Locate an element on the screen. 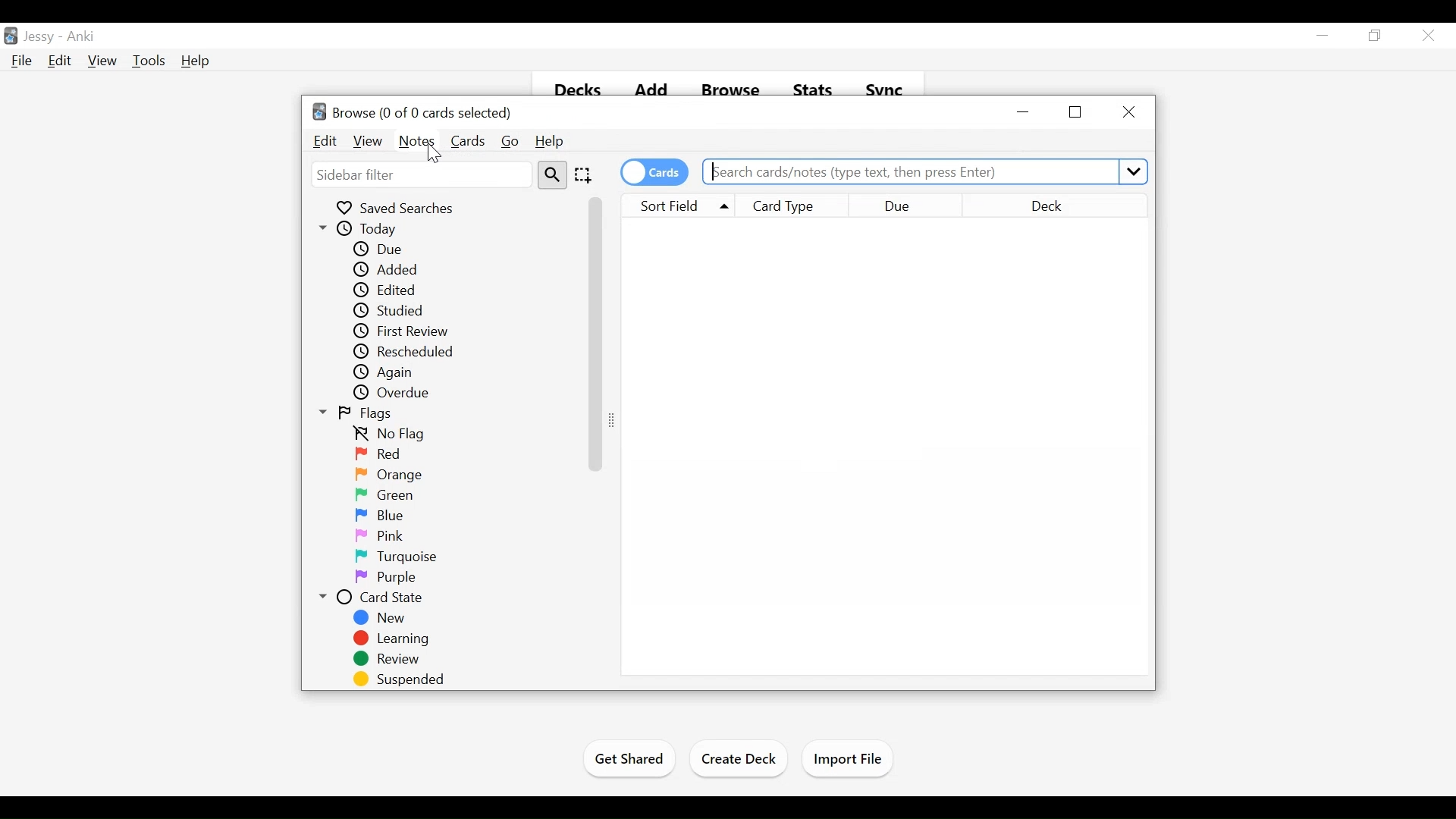 The height and width of the screenshot is (819, 1456). File is located at coordinates (21, 60).